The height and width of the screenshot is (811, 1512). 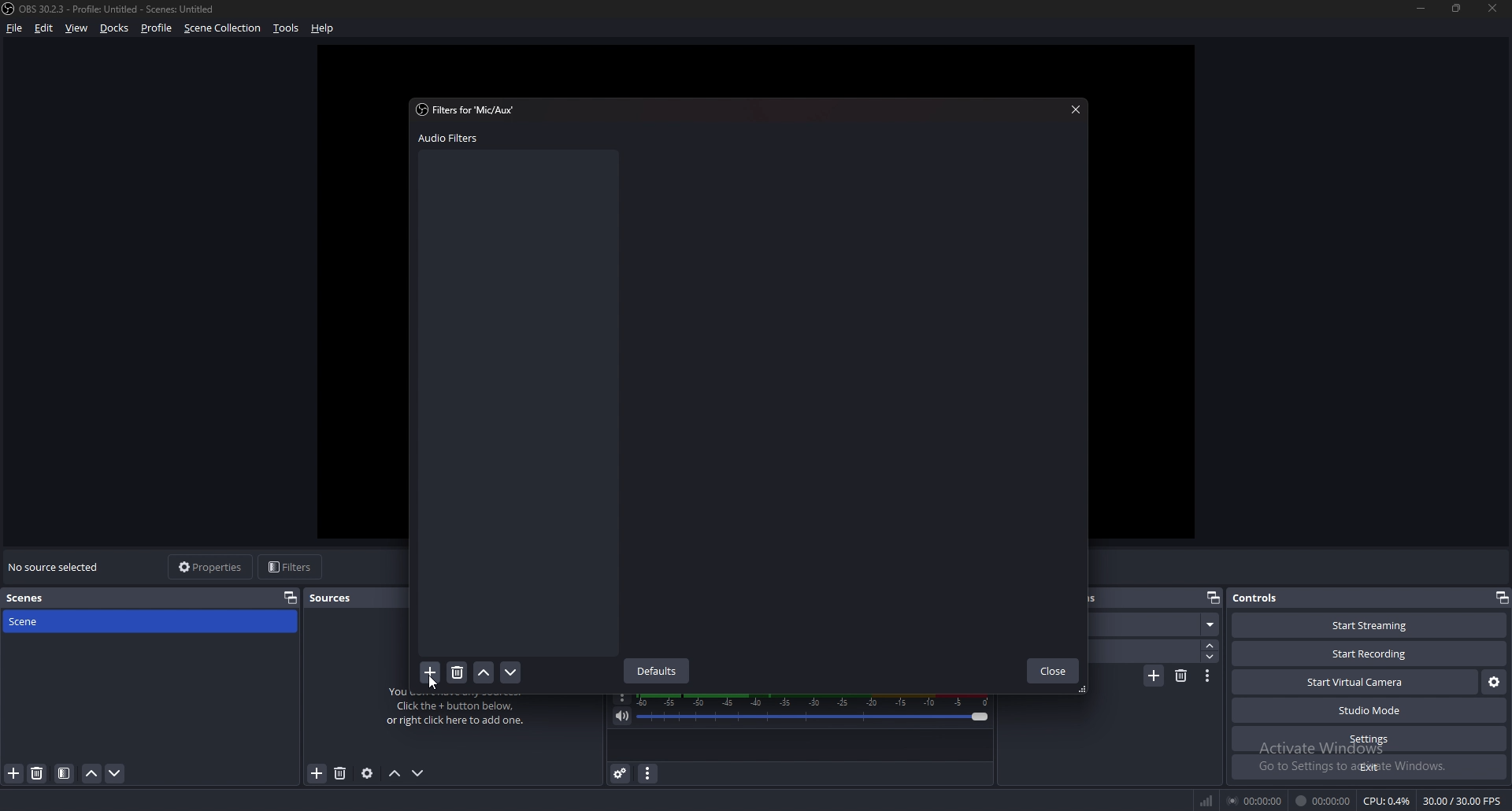 I want to click on advanced audio properties, so click(x=621, y=773).